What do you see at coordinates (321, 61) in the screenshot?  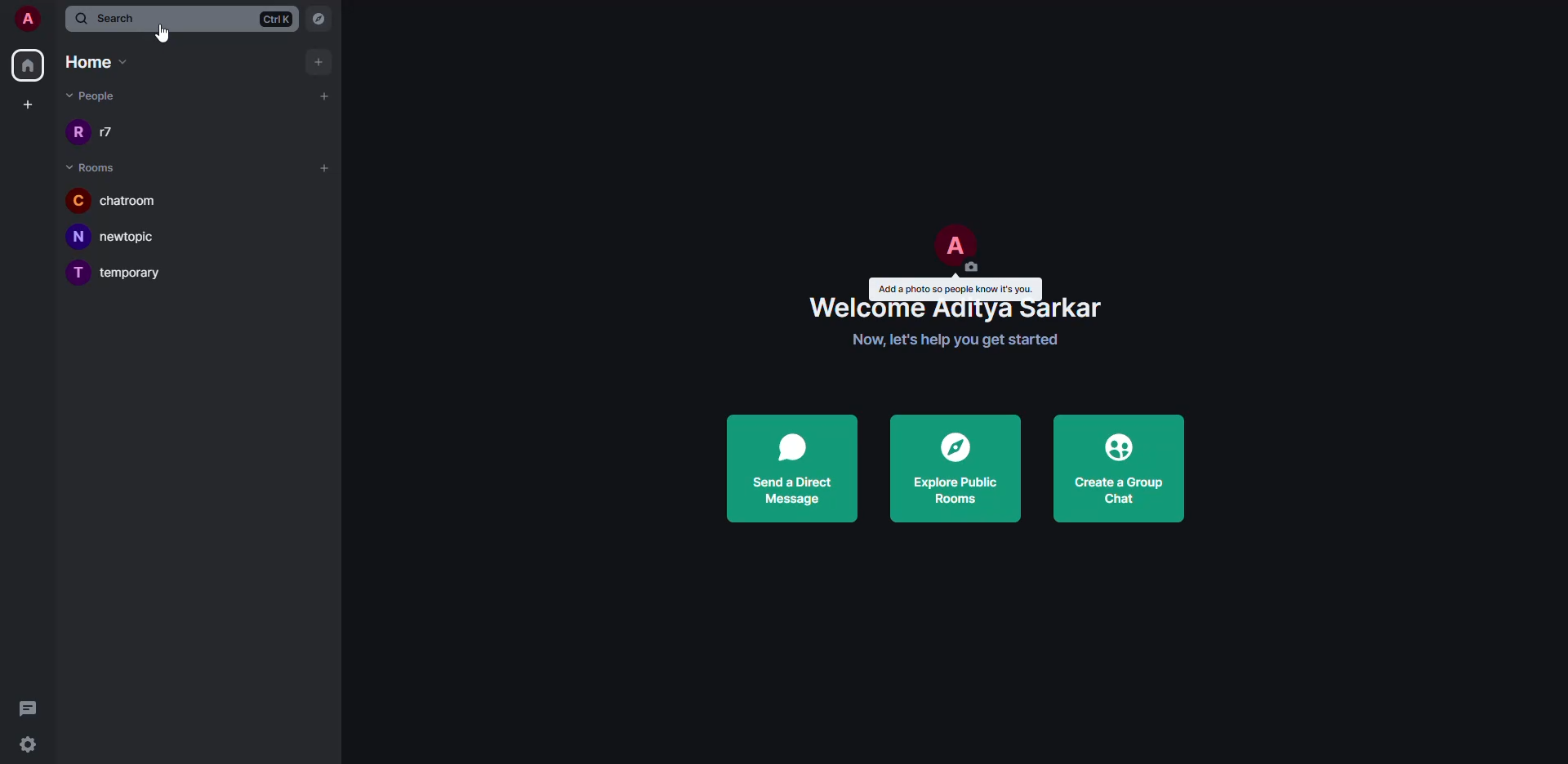 I see `add` at bounding box center [321, 61].